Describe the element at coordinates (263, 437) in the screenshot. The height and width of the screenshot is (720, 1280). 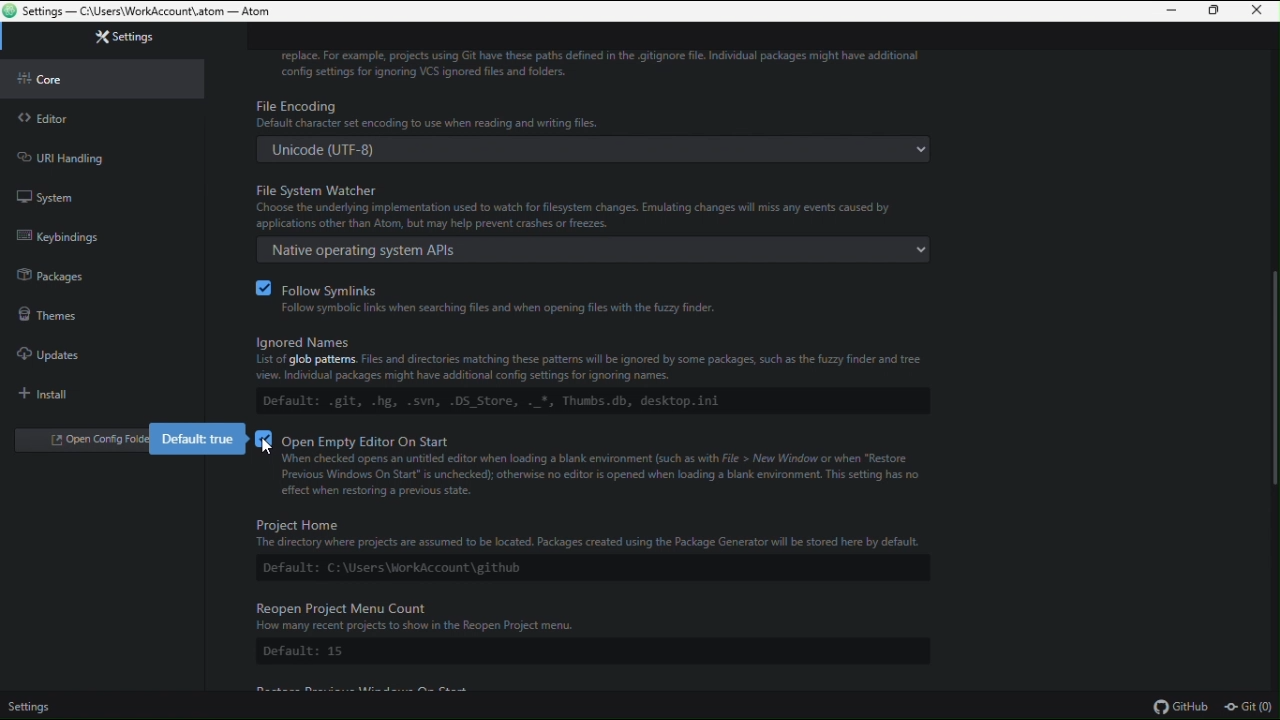
I see `checkbox` at that location.